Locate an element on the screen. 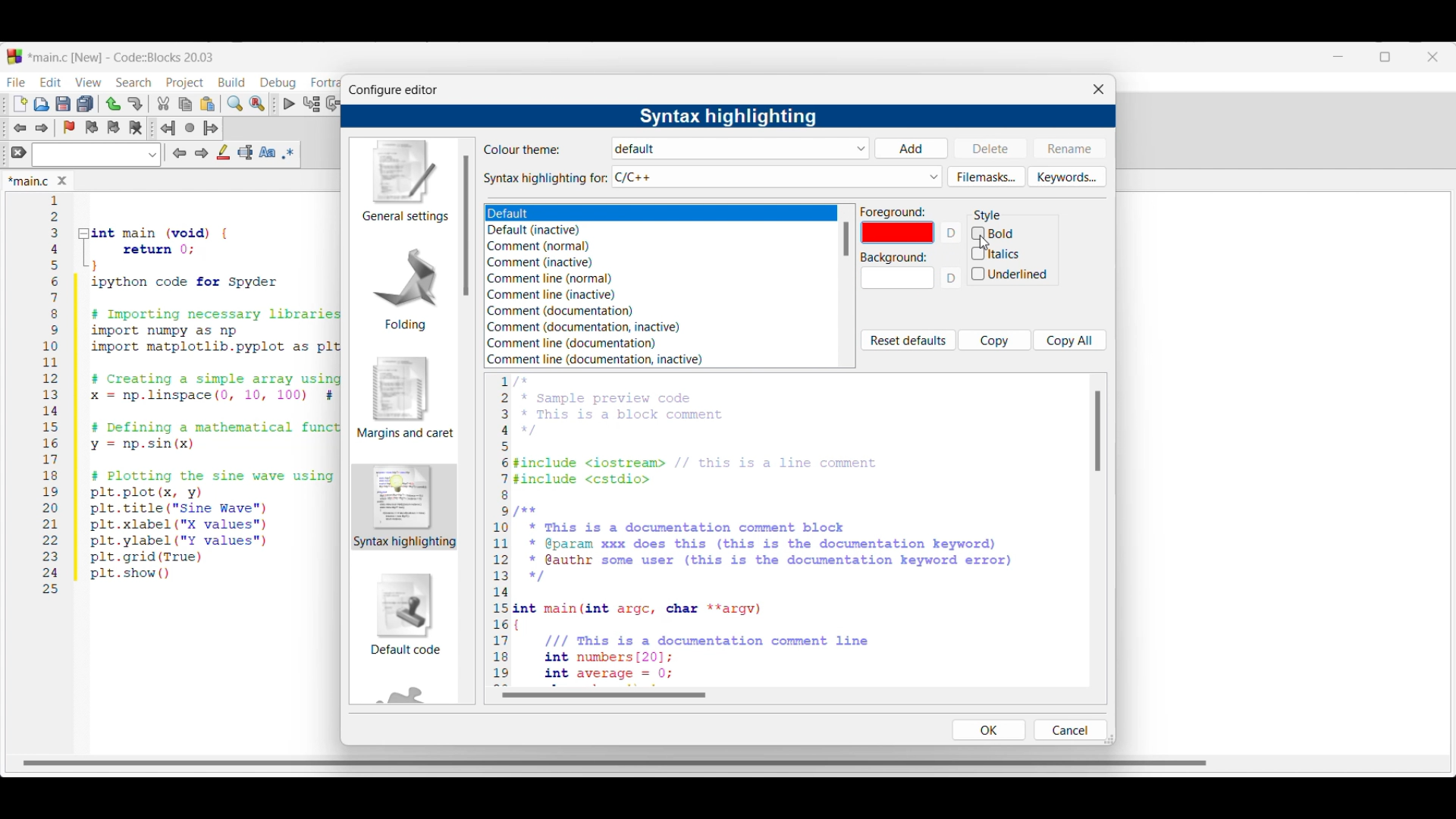  Vertical slide bar is located at coordinates (466, 225).